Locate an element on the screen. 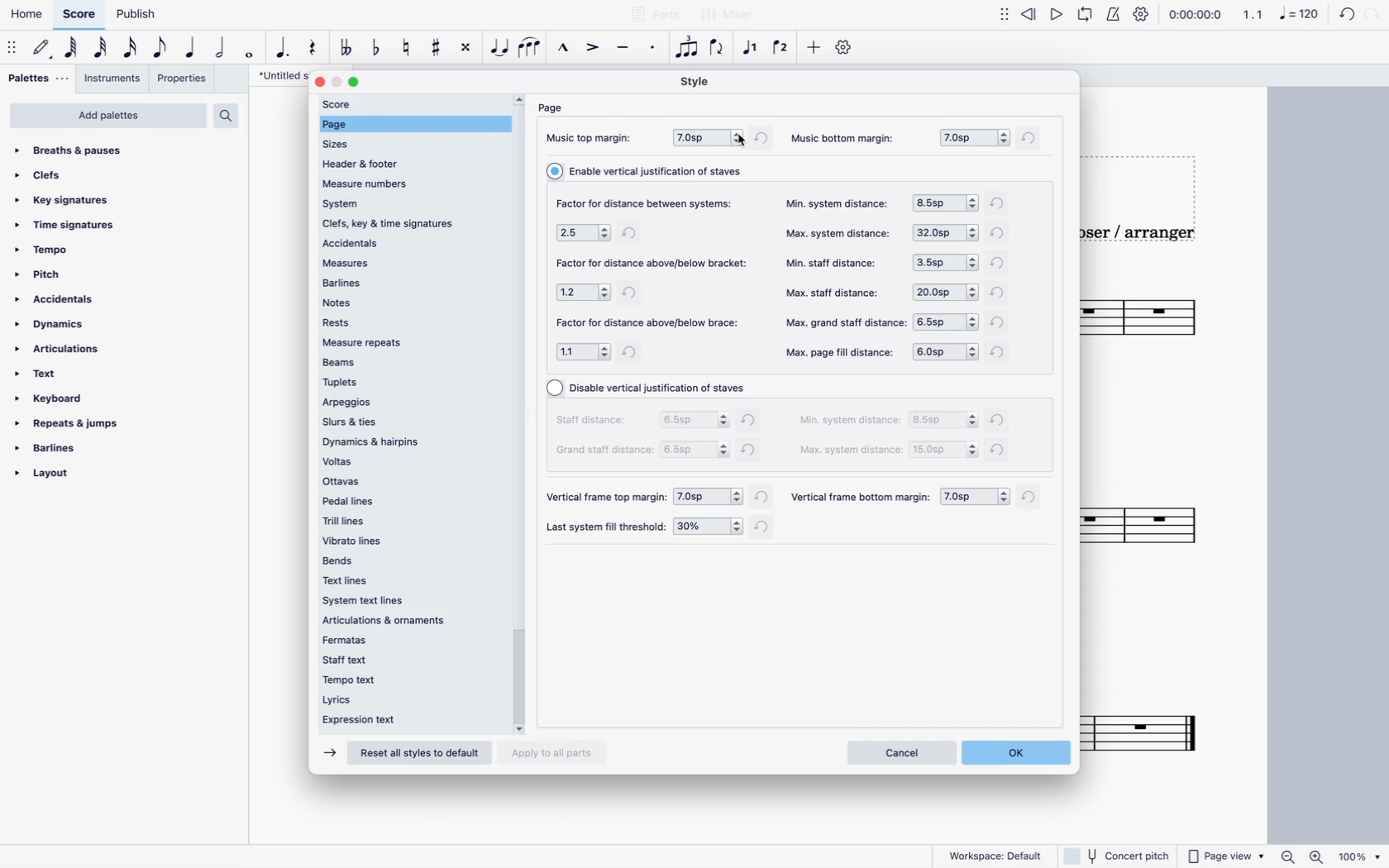  playback settings is located at coordinates (1141, 16).